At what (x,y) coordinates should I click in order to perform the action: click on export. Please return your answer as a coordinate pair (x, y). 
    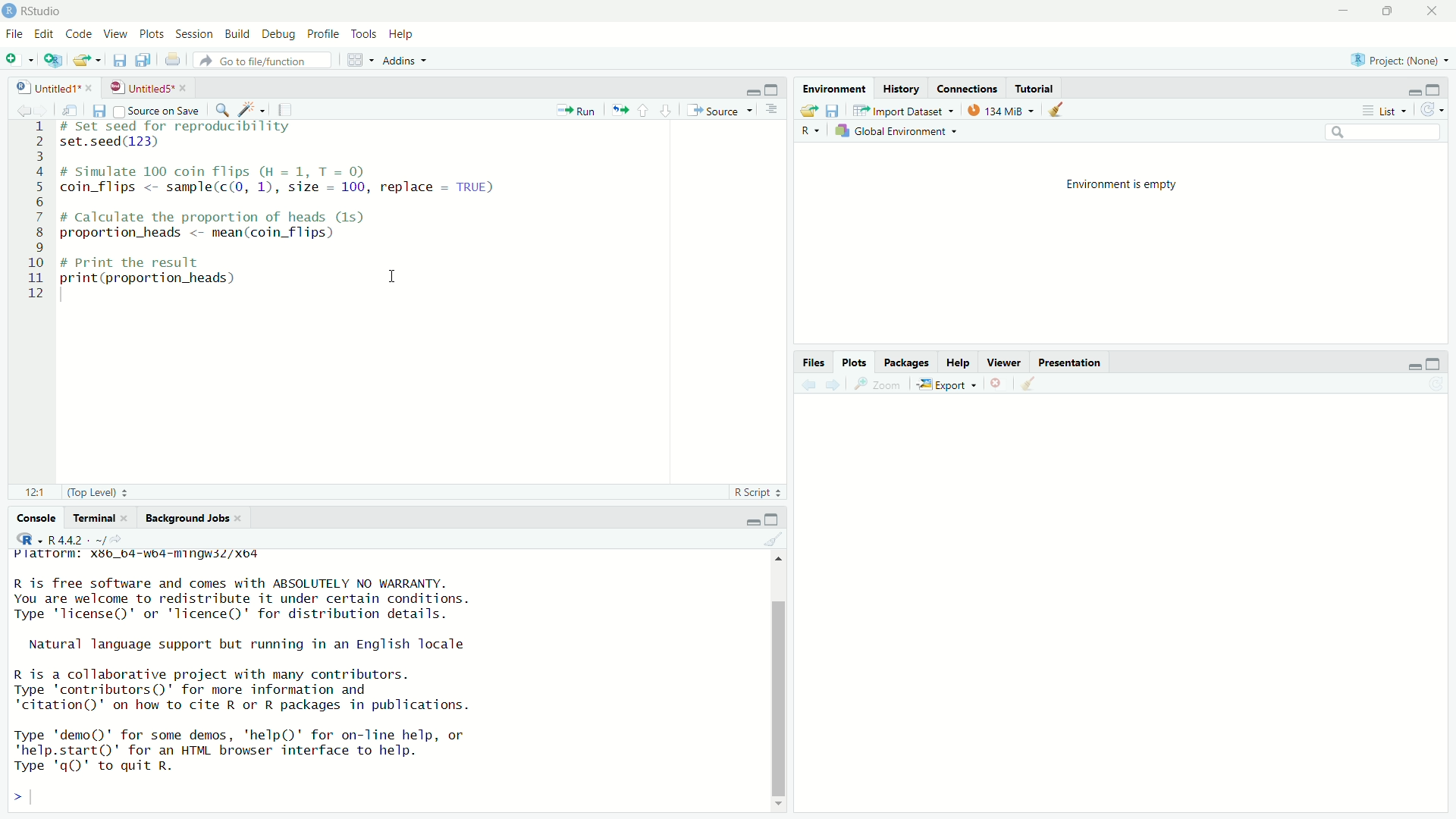
    Looking at the image, I should click on (950, 384).